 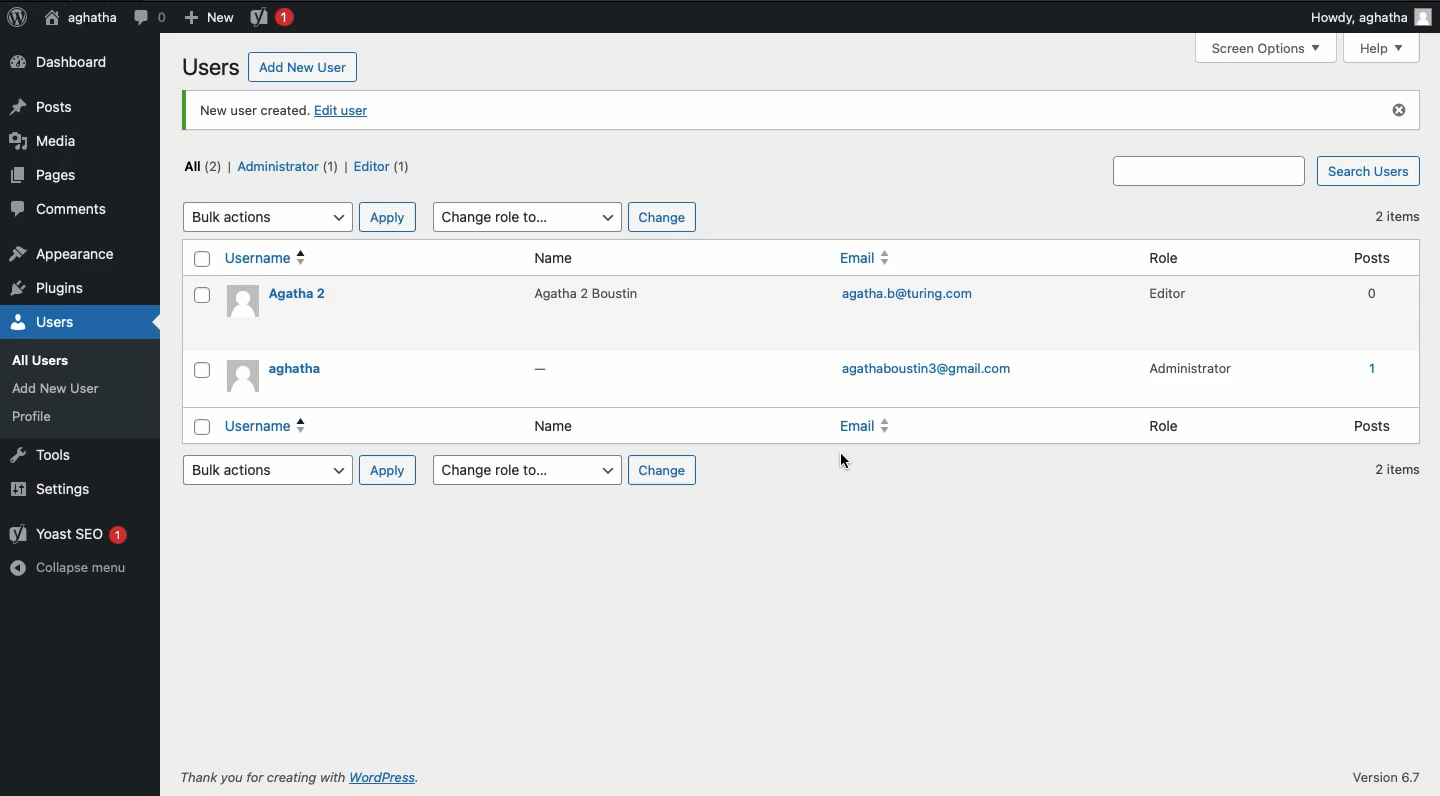 I want to click on Version 6.7, so click(x=1391, y=775).